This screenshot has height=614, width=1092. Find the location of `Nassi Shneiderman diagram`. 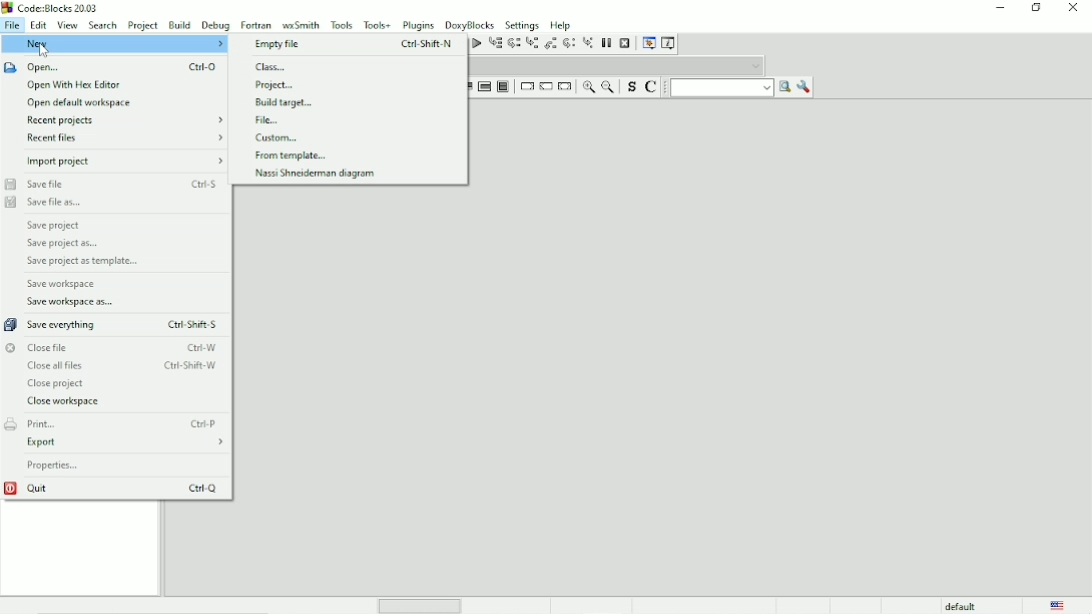

Nassi Shneiderman diagram is located at coordinates (315, 174).